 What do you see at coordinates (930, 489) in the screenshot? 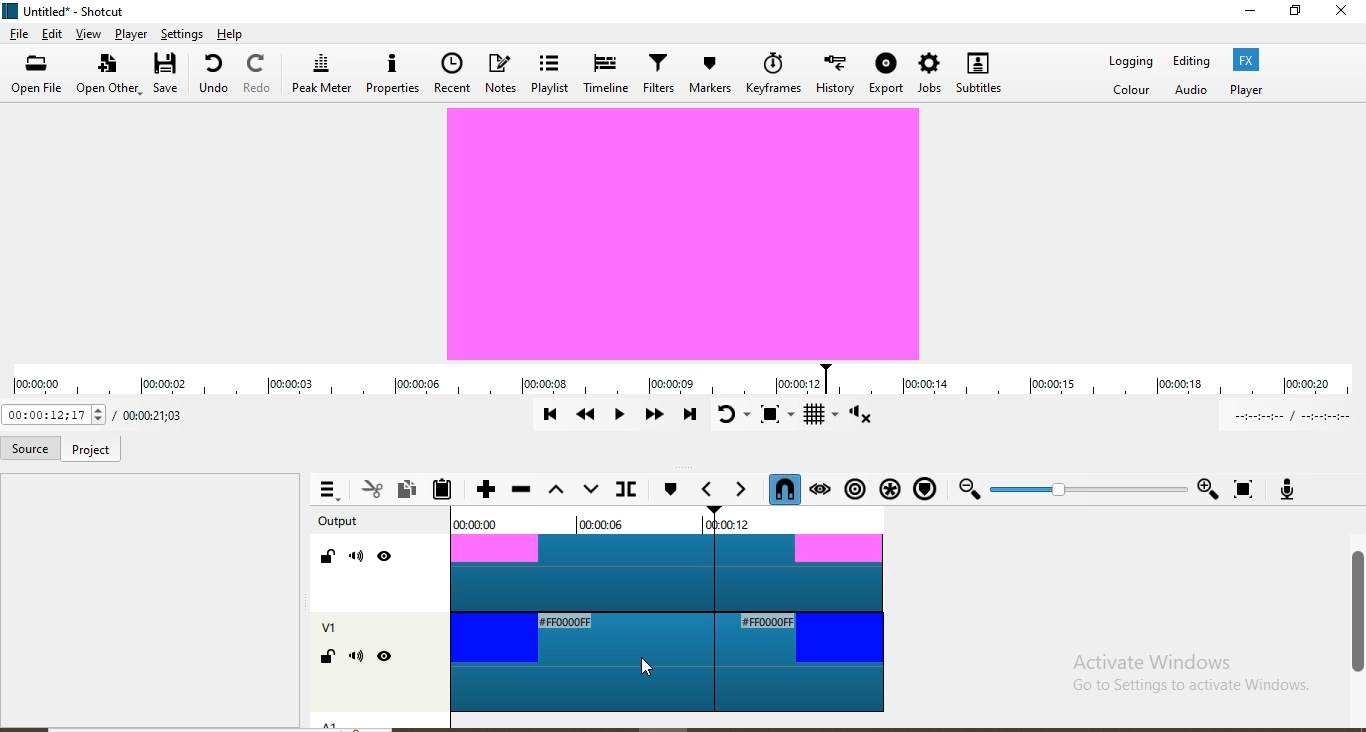
I see `Ripple markers` at bounding box center [930, 489].